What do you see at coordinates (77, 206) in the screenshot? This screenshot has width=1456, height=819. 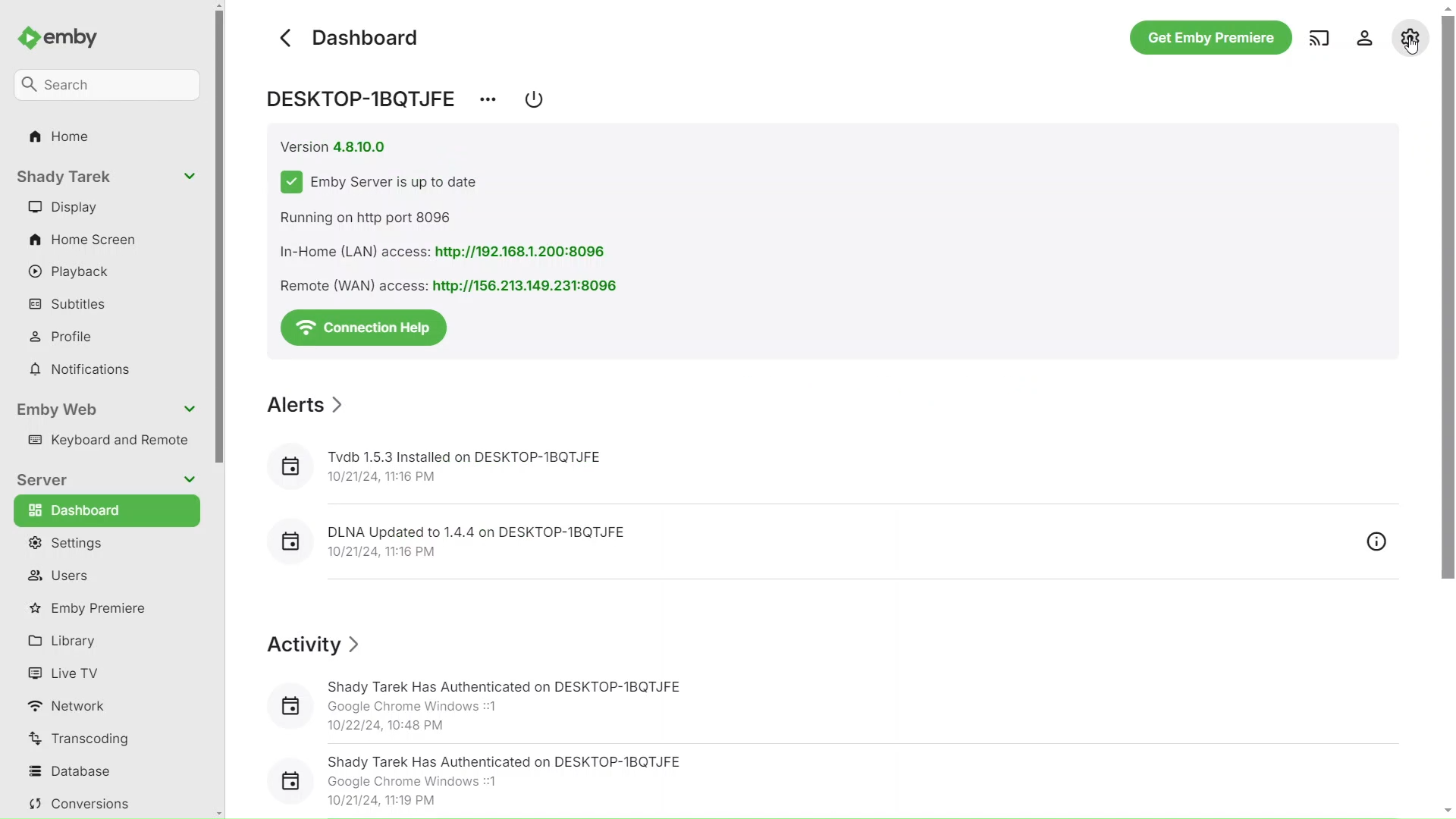 I see `Display` at bounding box center [77, 206].